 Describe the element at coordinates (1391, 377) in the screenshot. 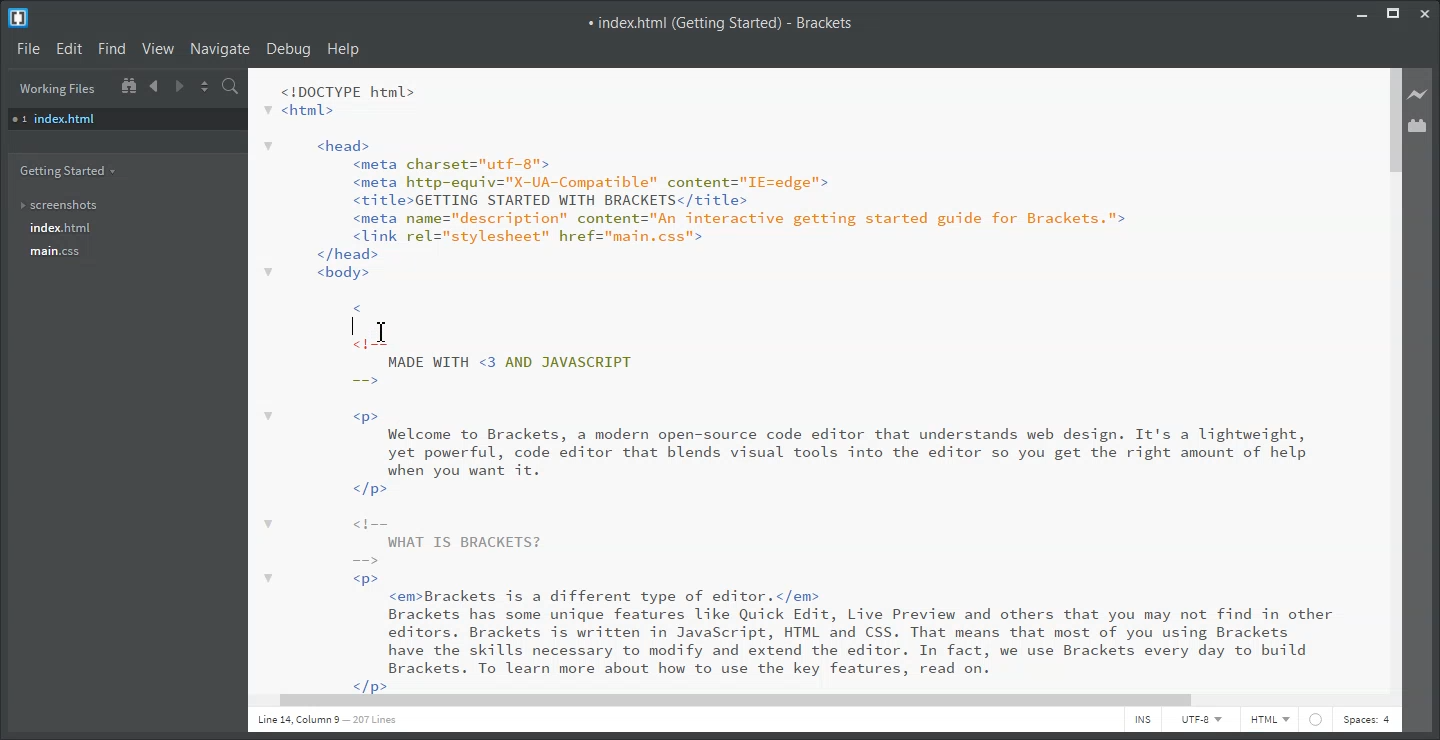

I see `Vertical Scroll bar` at that location.